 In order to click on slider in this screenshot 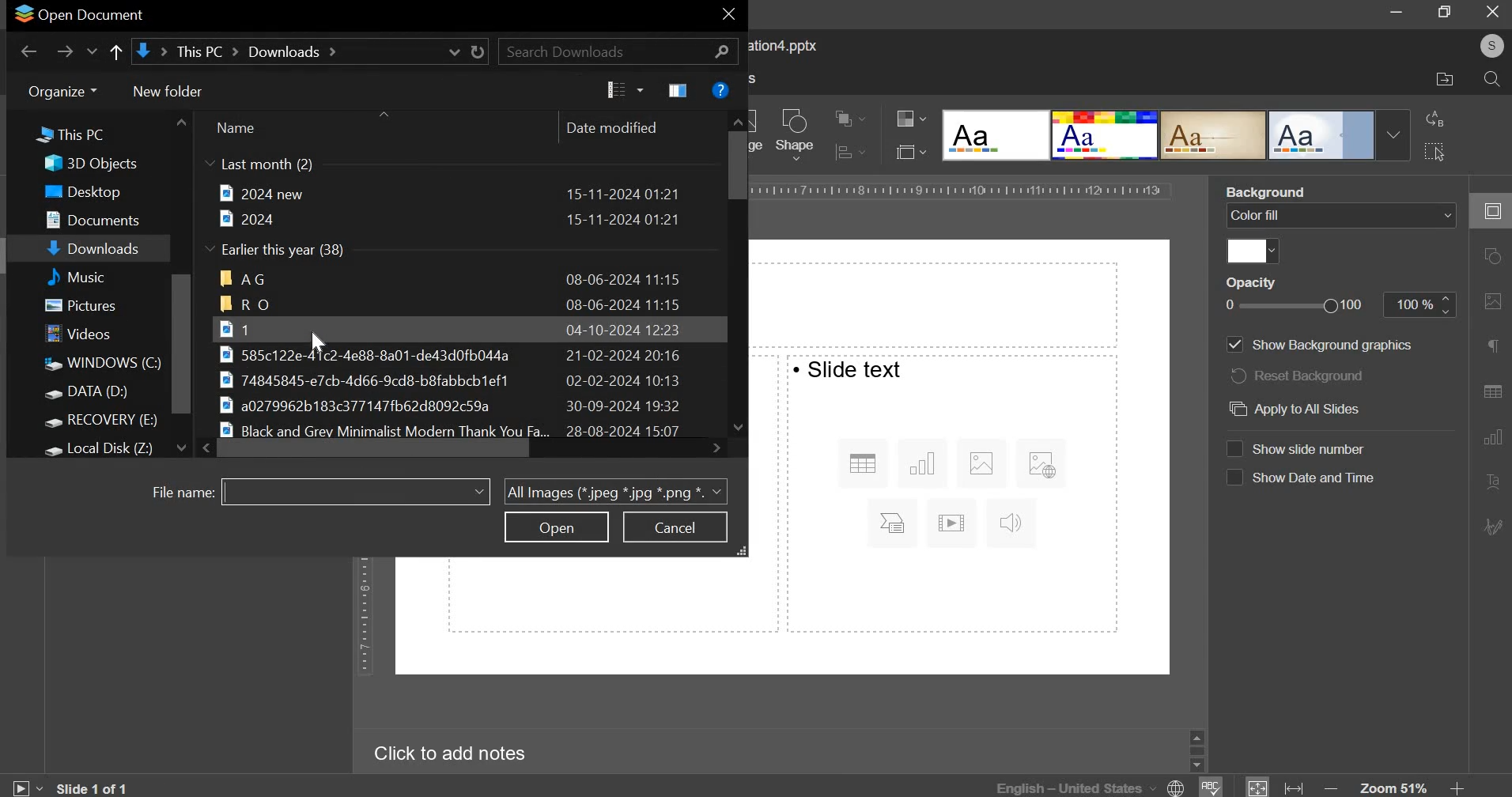, I will do `click(1196, 750)`.